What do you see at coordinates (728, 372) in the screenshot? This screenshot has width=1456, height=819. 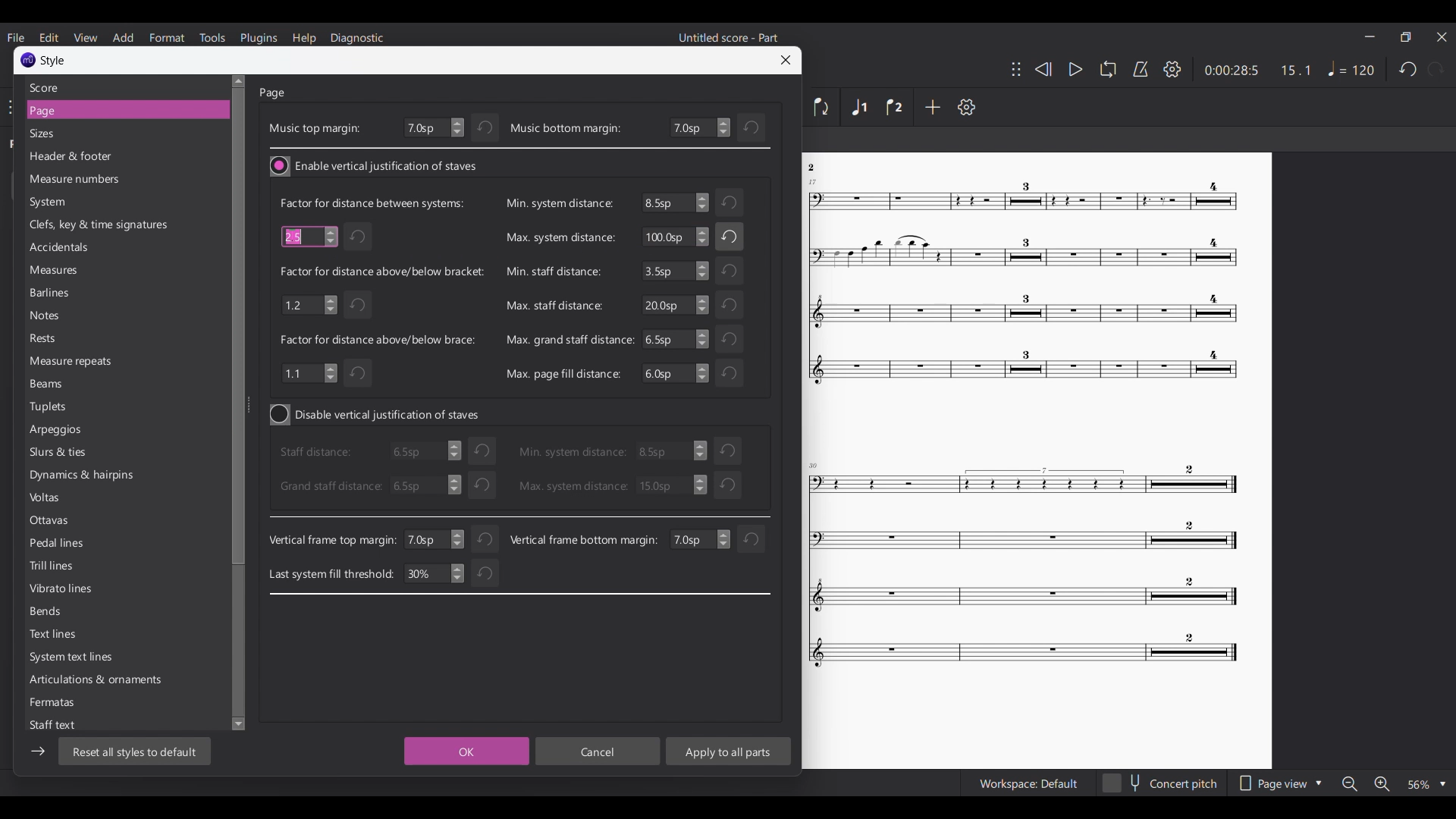 I see `Undo` at bounding box center [728, 372].